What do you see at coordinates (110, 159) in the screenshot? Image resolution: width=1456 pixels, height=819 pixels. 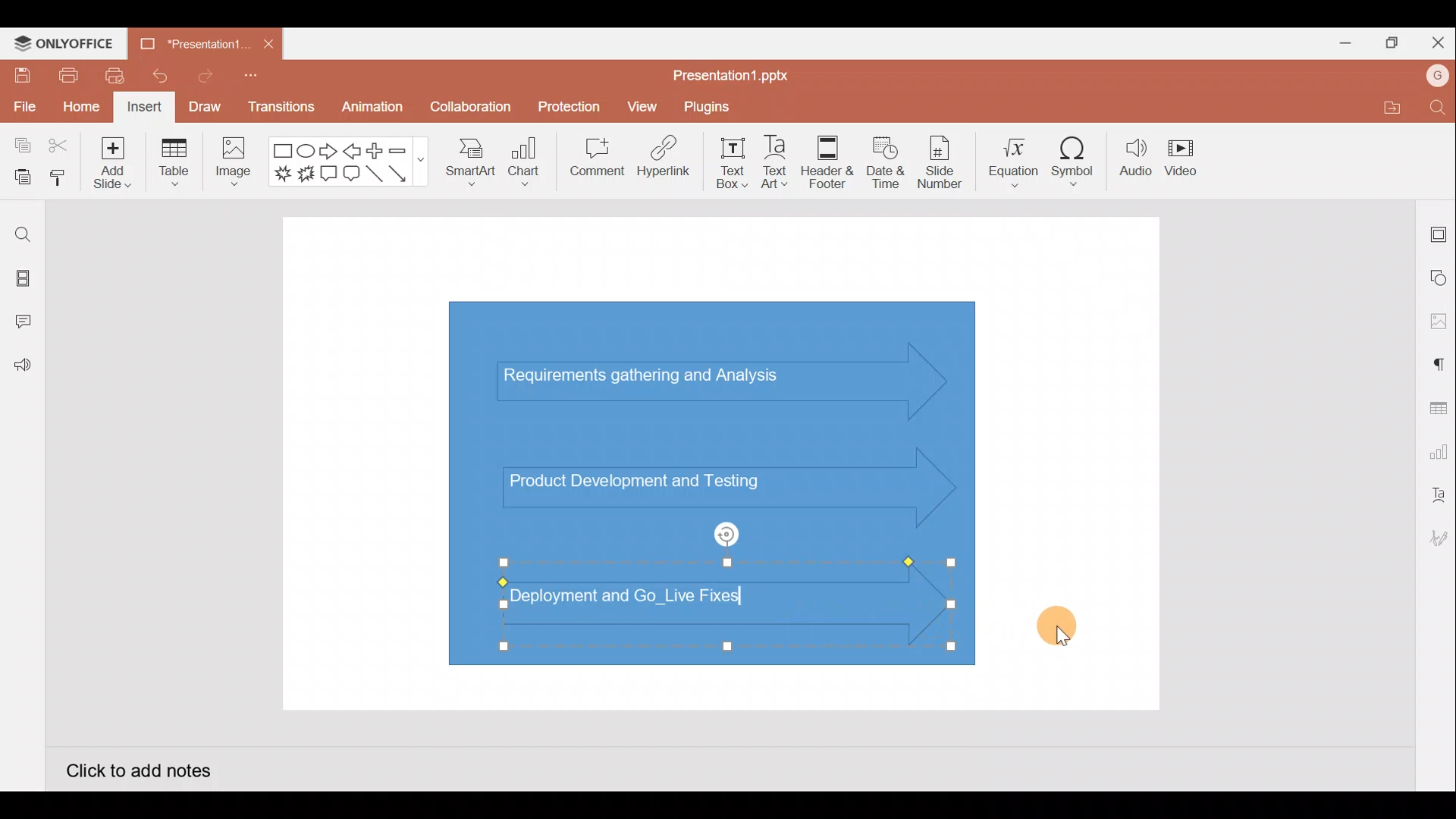 I see `Add slide` at bounding box center [110, 159].